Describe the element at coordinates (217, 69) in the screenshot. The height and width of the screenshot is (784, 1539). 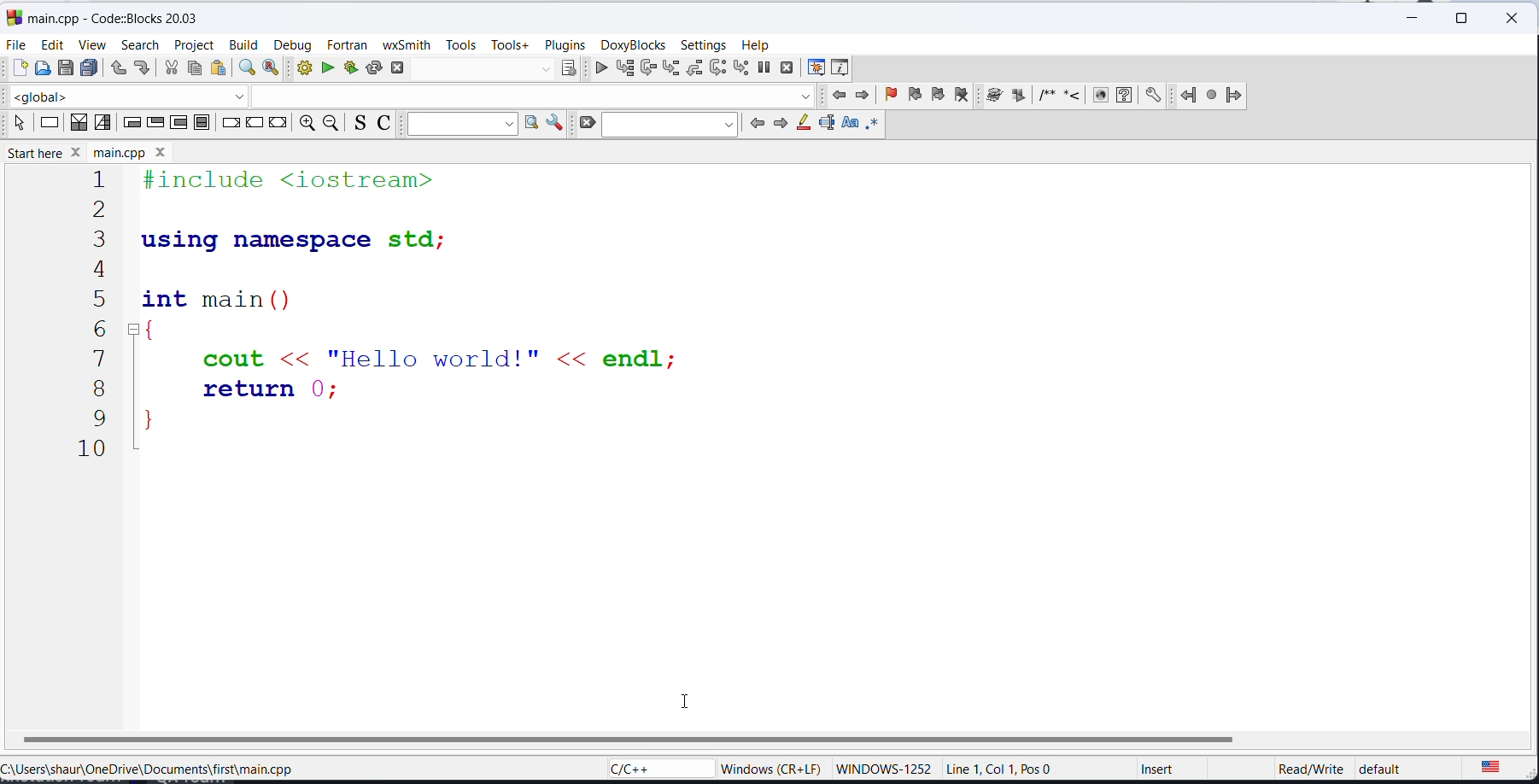
I see `PASTE` at that location.